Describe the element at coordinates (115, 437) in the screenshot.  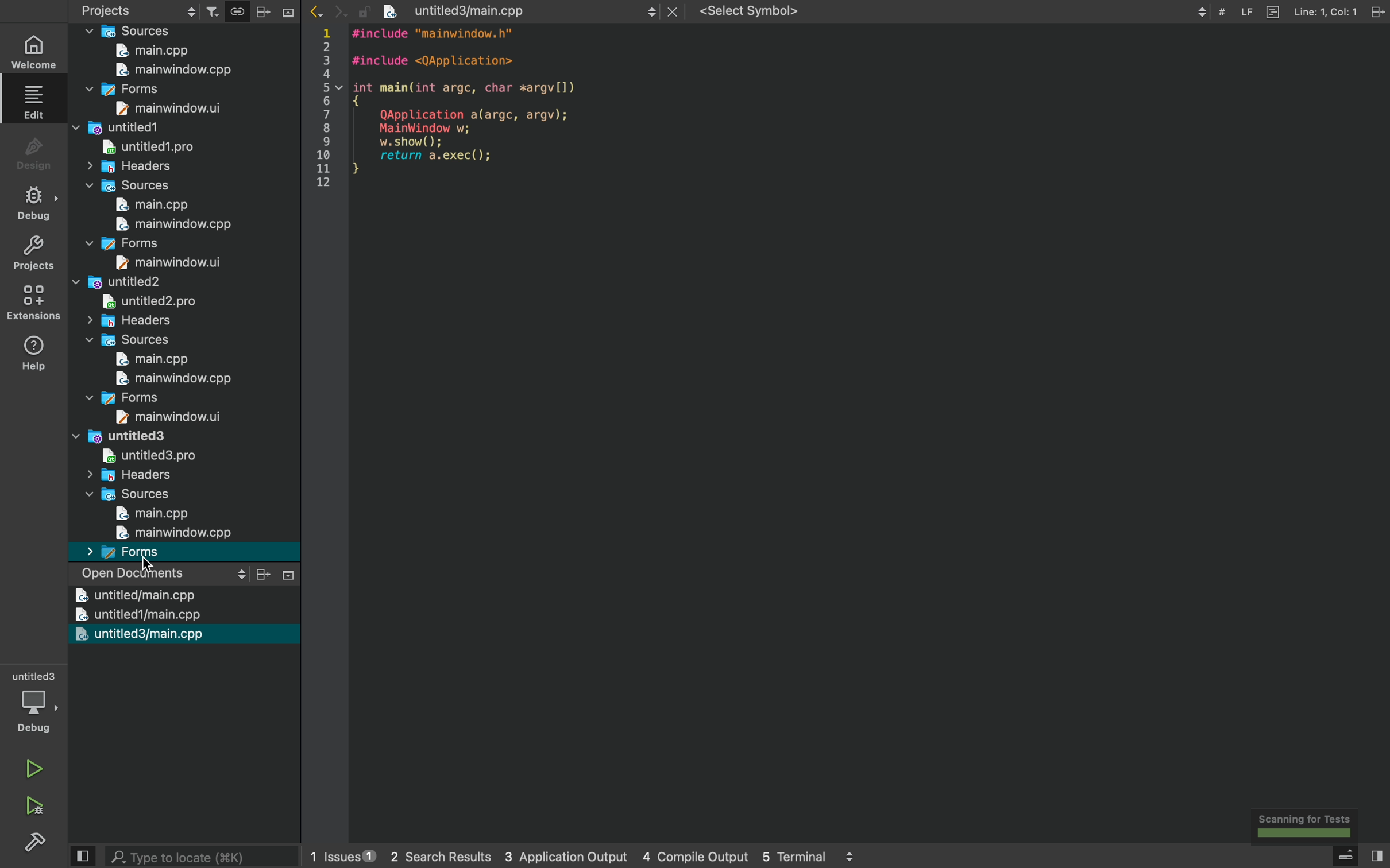
I see `Untitled` at that location.